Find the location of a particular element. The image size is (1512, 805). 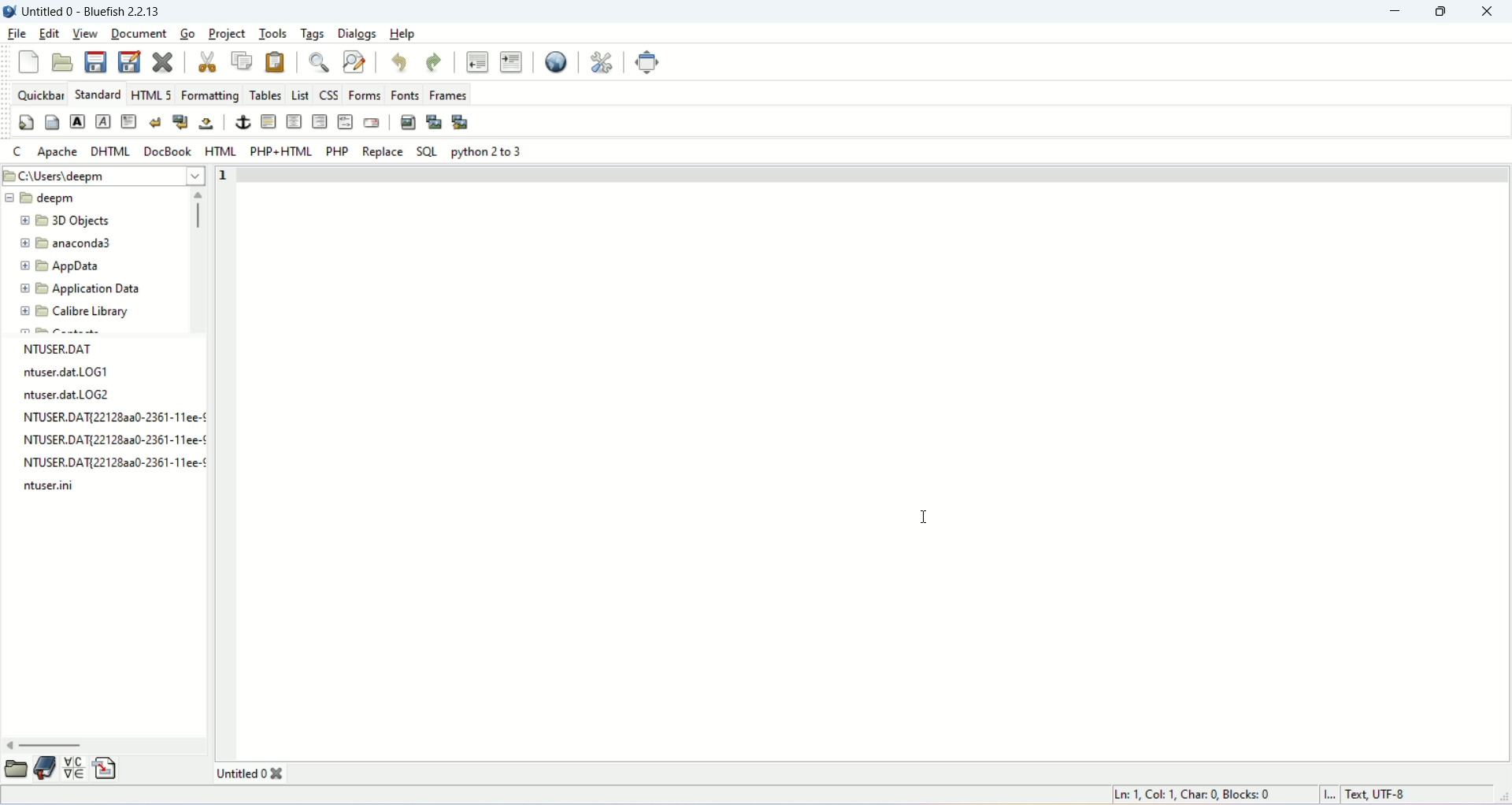

Multi thumbnail is located at coordinates (460, 122).